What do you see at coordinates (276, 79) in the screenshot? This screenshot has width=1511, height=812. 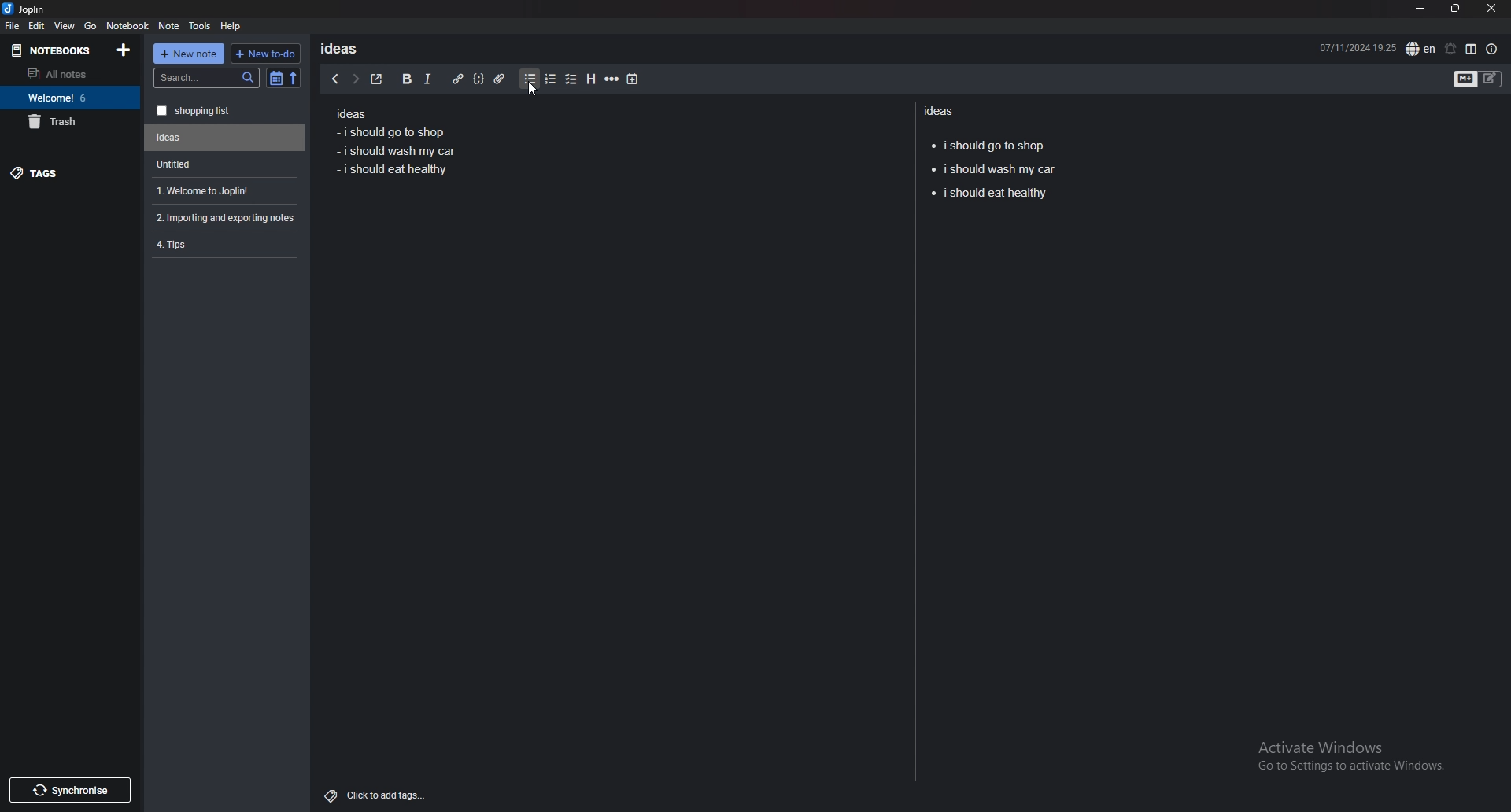 I see `toggle sort order` at bounding box center [276, 79].